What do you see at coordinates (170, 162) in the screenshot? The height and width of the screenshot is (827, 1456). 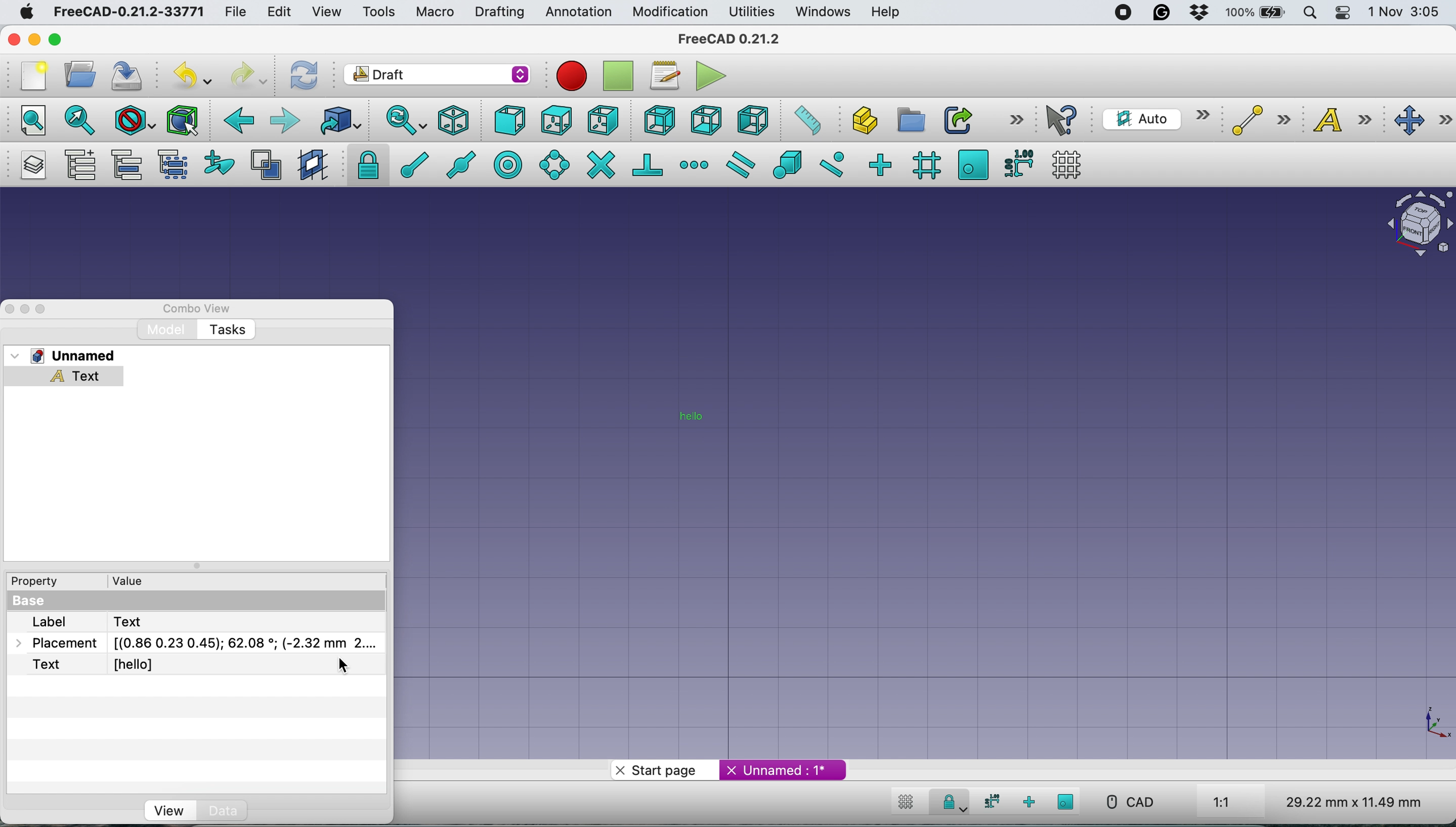 I see `select group` at bounding box center [170, 162].